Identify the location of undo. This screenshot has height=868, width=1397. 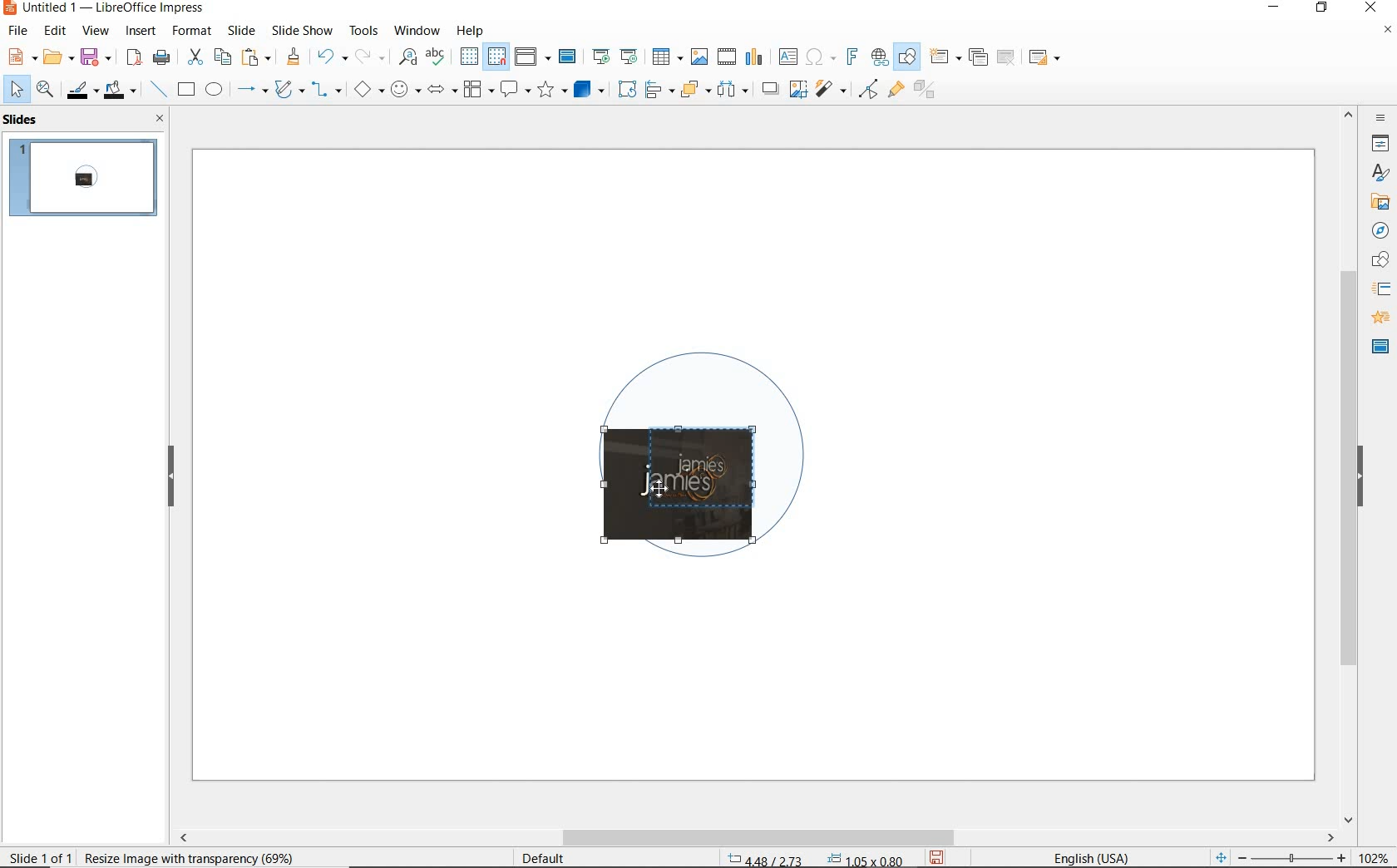
(329, 58).